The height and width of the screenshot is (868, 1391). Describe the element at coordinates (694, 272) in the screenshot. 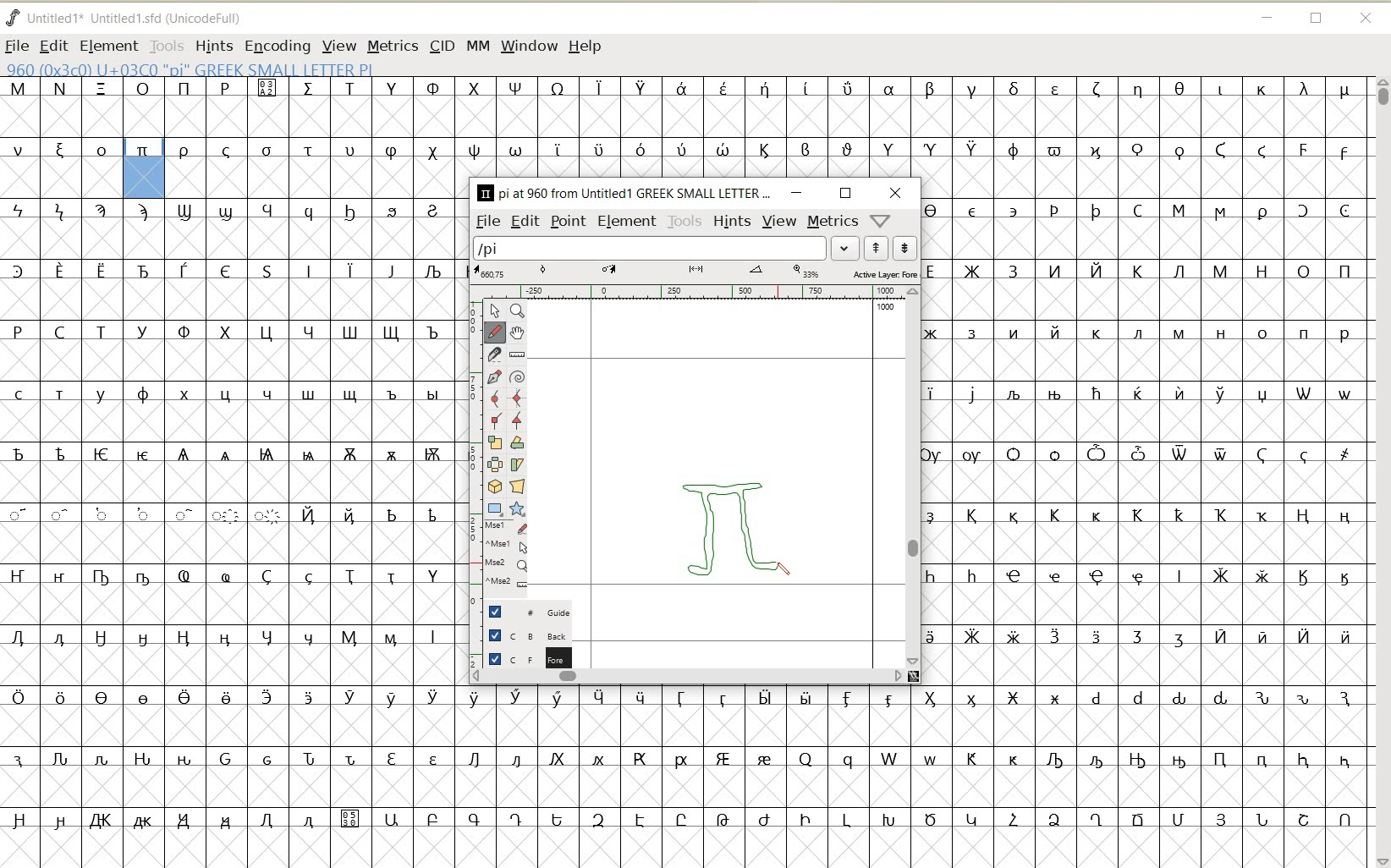

I see `ACTIVE LAYER` at that location.